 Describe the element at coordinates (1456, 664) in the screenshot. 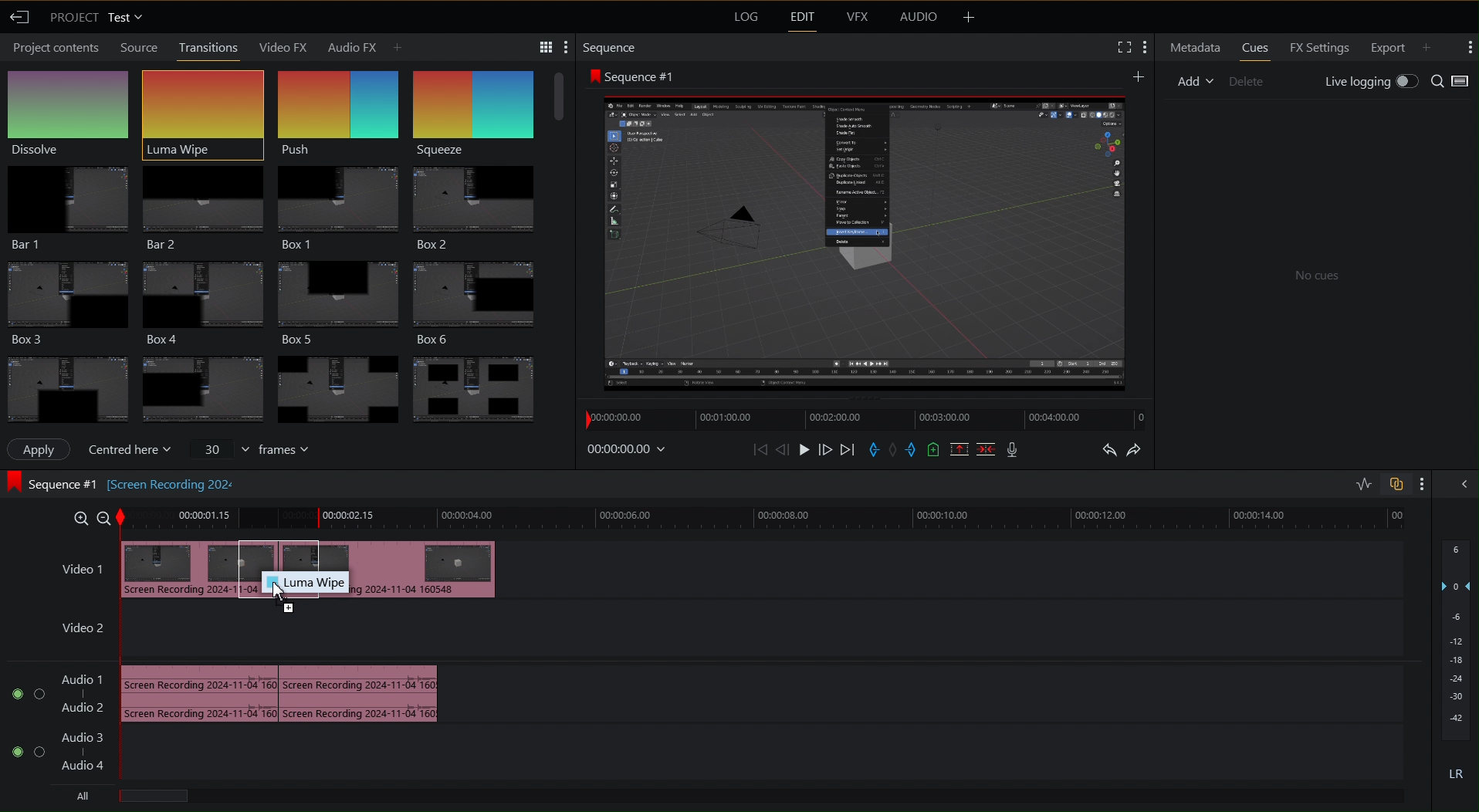

I see `Audio Levels` at that location.